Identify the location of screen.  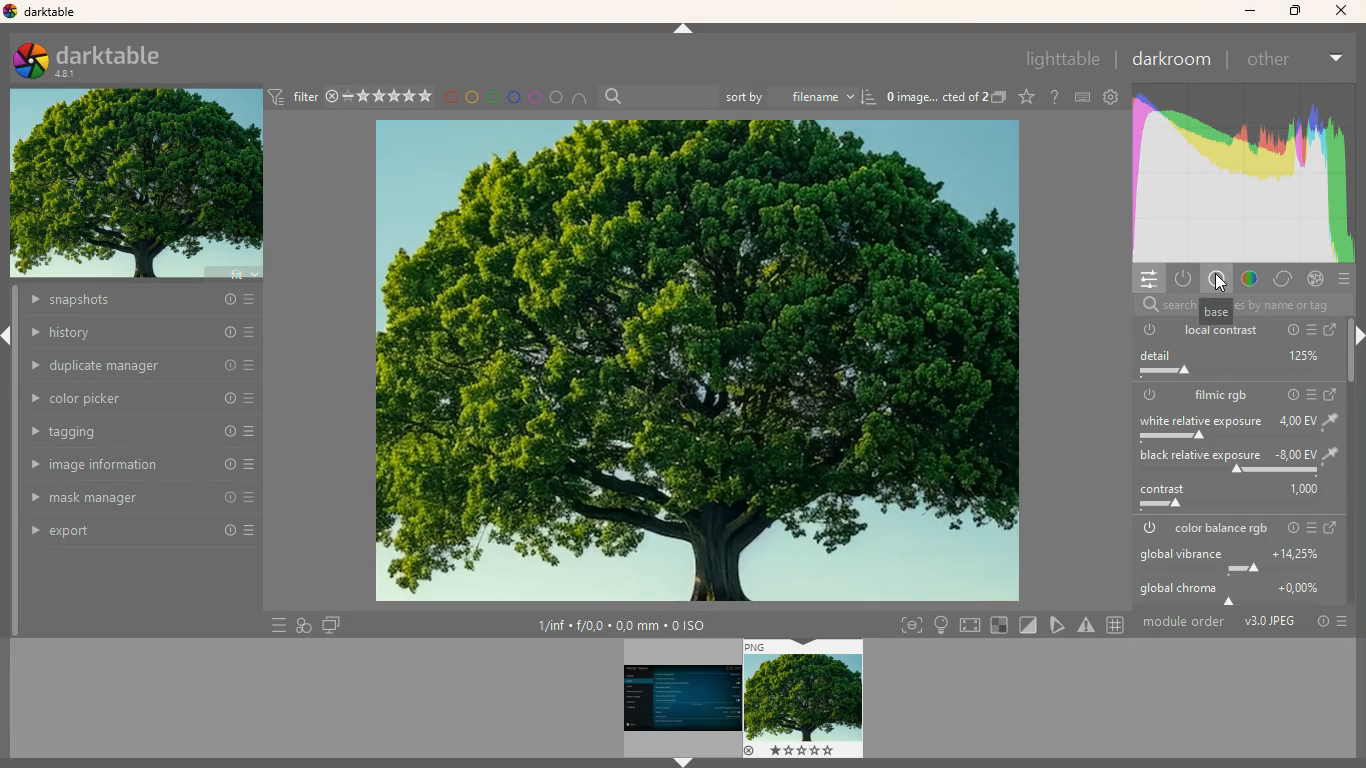
(332, 624).